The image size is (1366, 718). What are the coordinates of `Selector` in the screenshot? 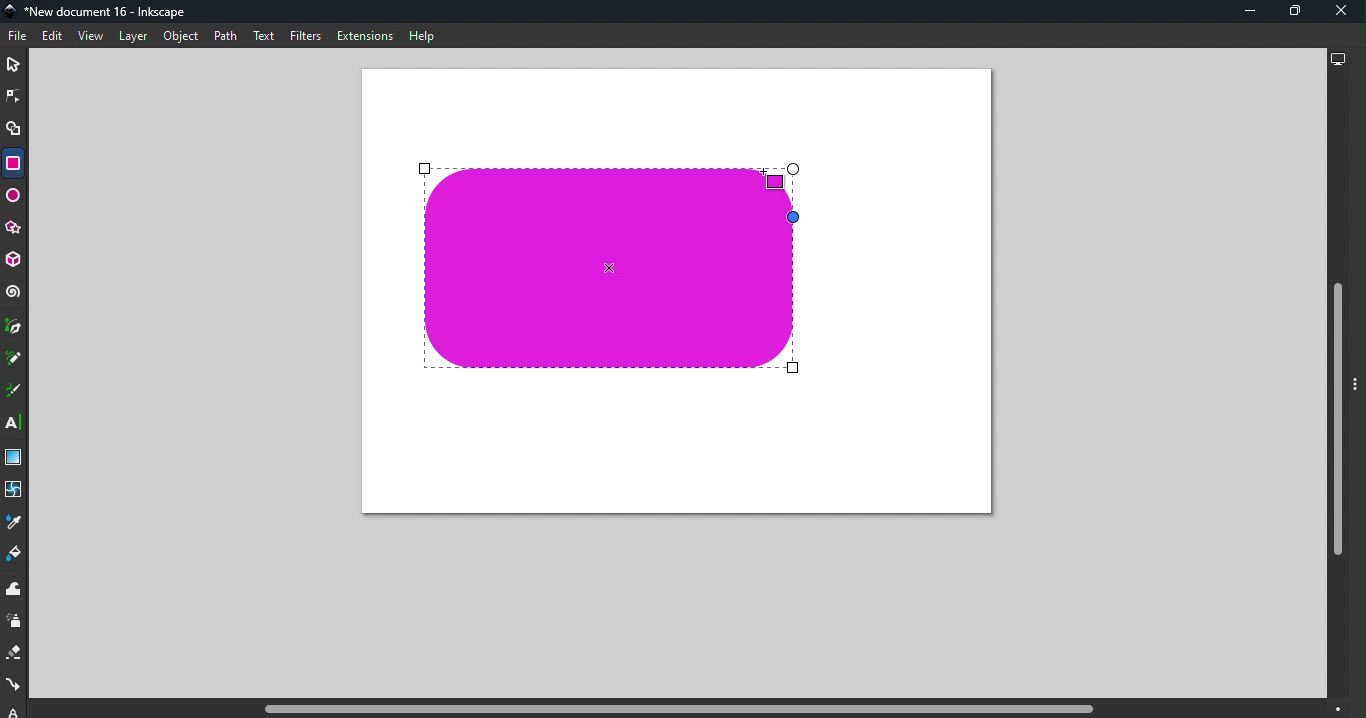 It's located at (13, 66).